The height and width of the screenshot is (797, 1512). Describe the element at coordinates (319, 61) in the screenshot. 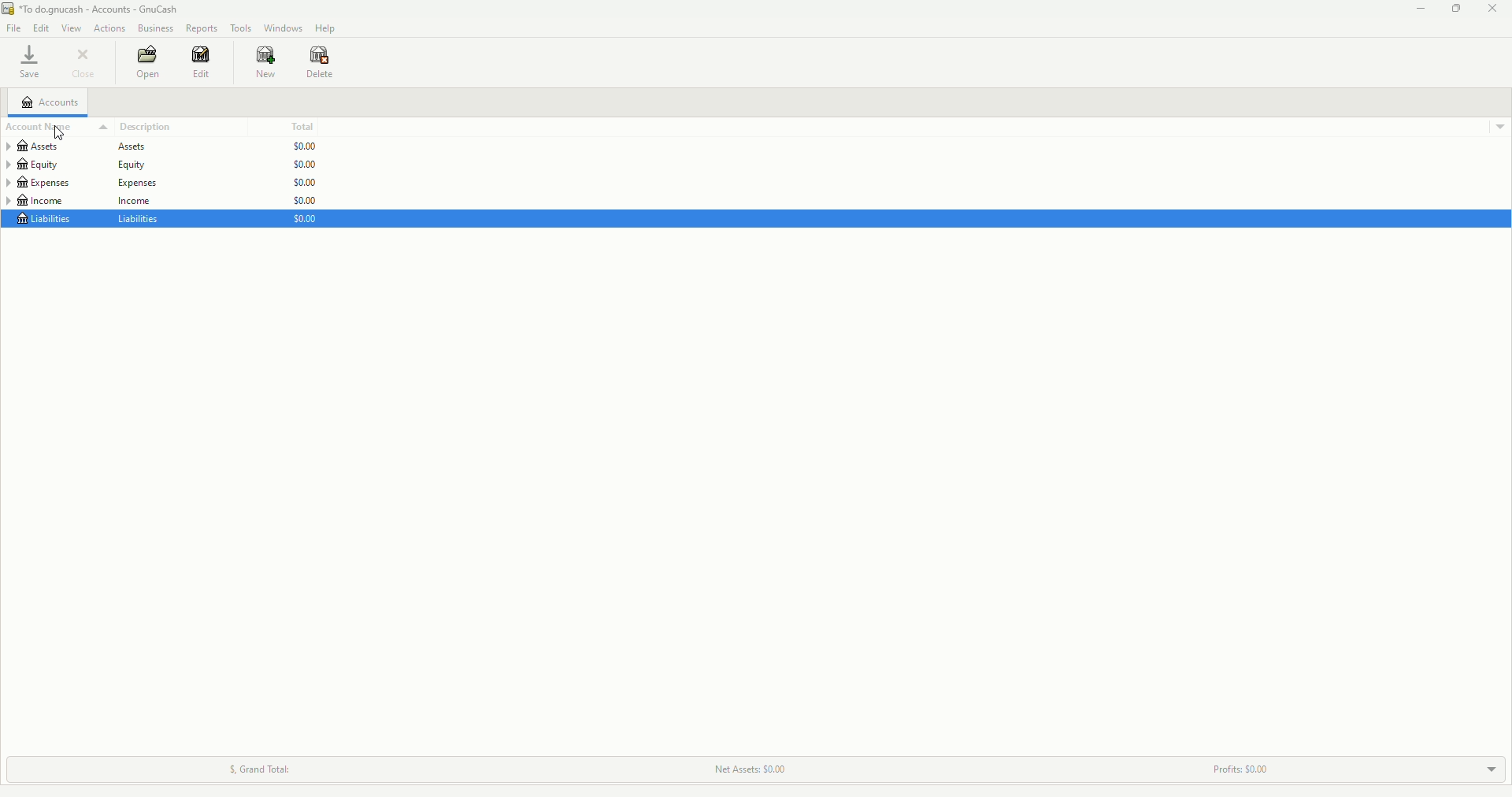

I see `Delete` at that location.